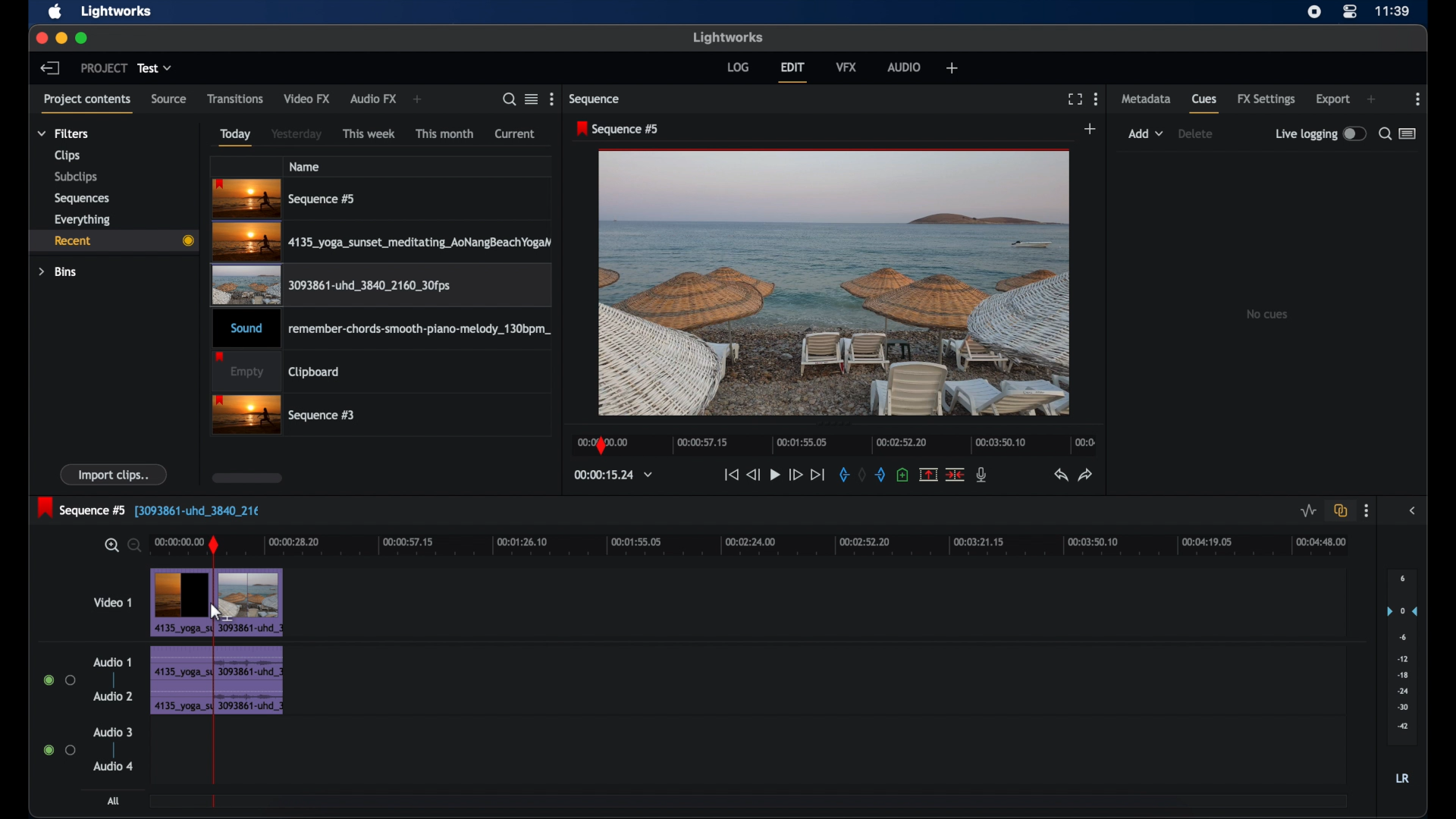 The width and height of the screenshot is (1456, 819). What do you see at coordinates (618, 129) in the screenshot?
I see `sequence 5` at bounding box center [618, 129].